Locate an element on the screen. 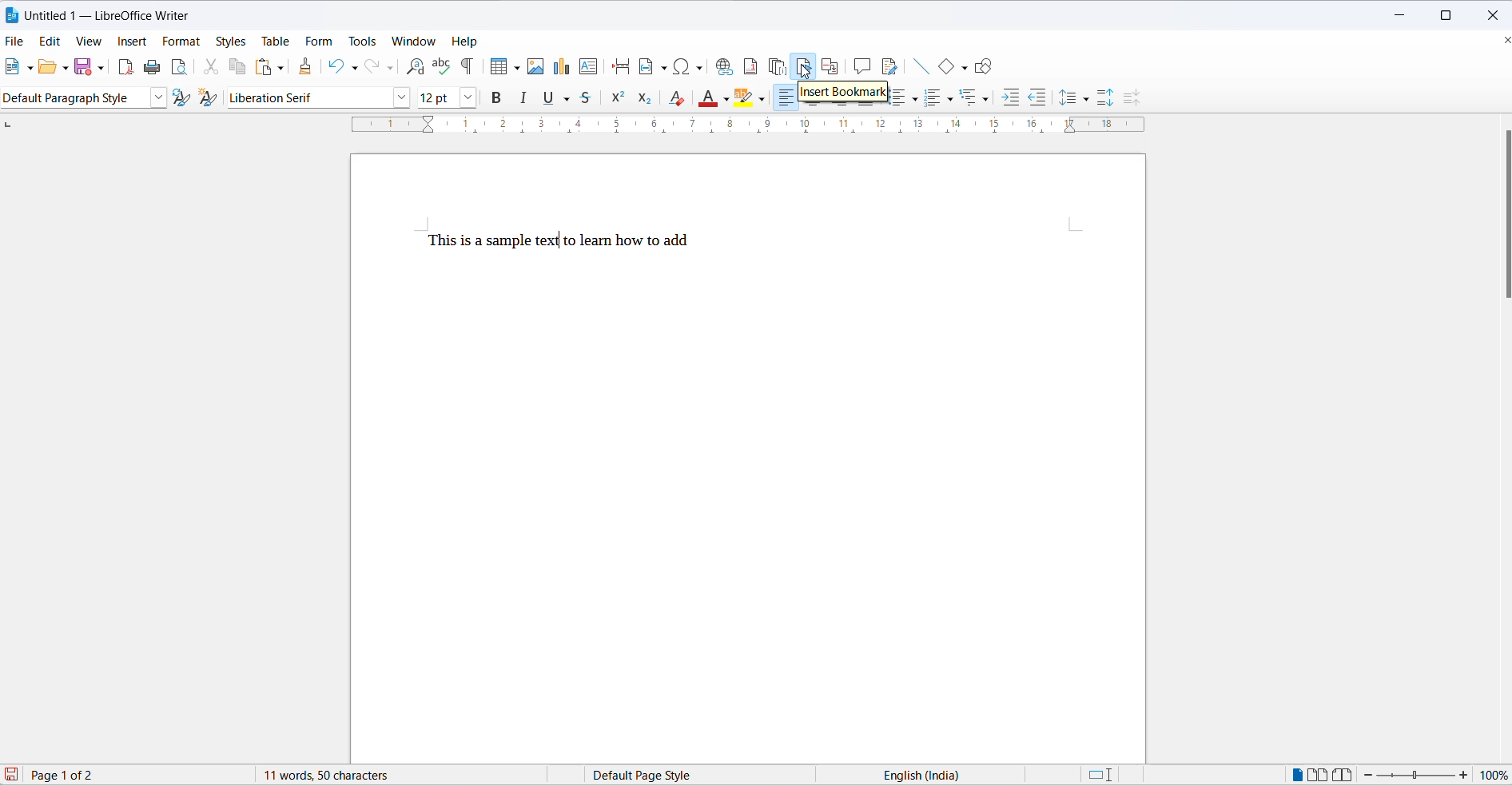 This screenshot has height=786, width=1512. maximize is located at coordinates (1449, 13).